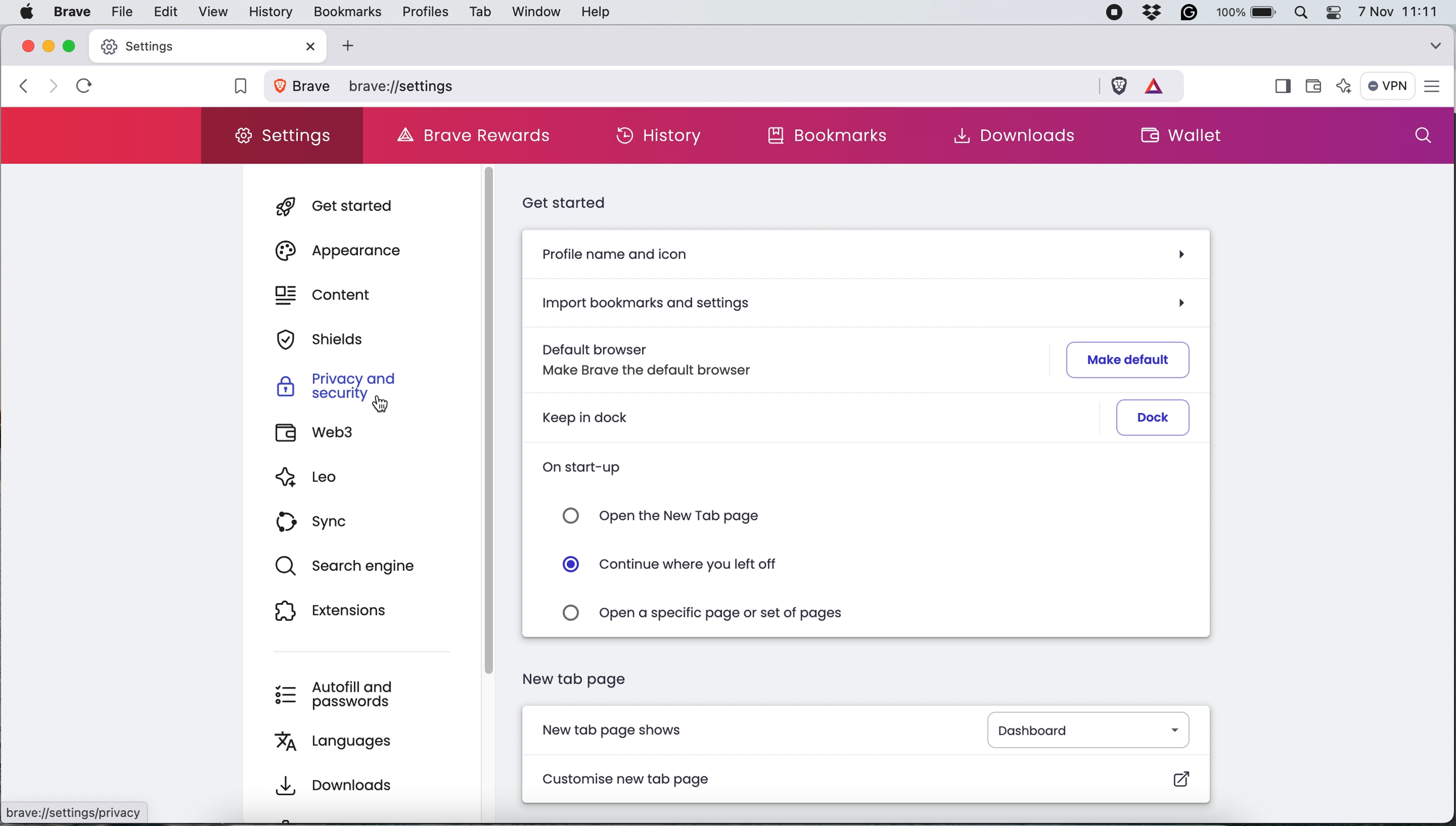 The width and height of the screenshot is (1456, 826). What do you see at coordinates (651, 372) in the screenshot?
I see `make brave the default browser` at bounding box center [651, 372].